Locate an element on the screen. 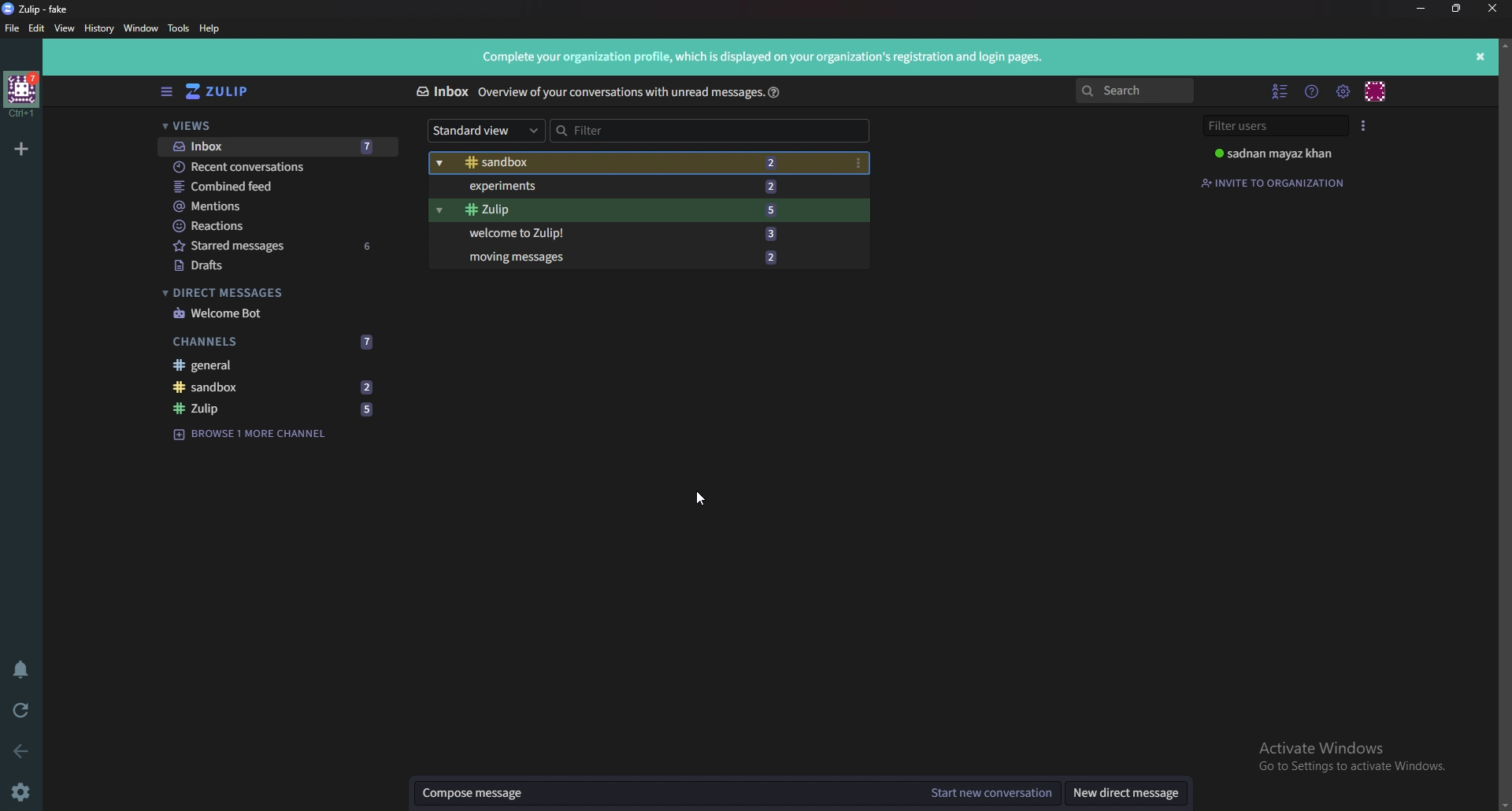 This screenshot has height=811, width=1512. Recent conversations is located at coordinates (274, 168).